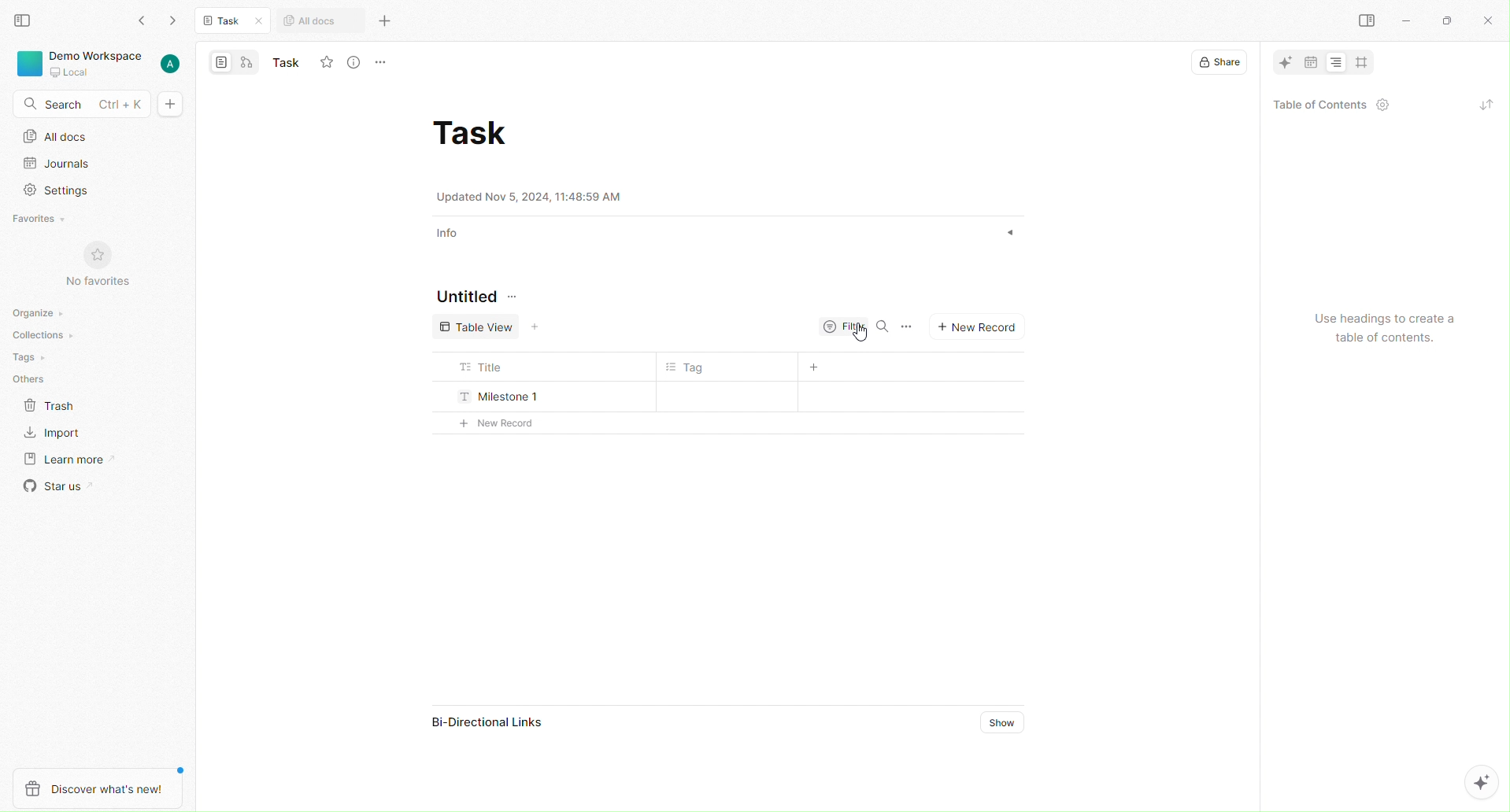 The height and width of the screenshot is (812, 1510). I want to click on Bi-Directional Links, so click(488, 723).